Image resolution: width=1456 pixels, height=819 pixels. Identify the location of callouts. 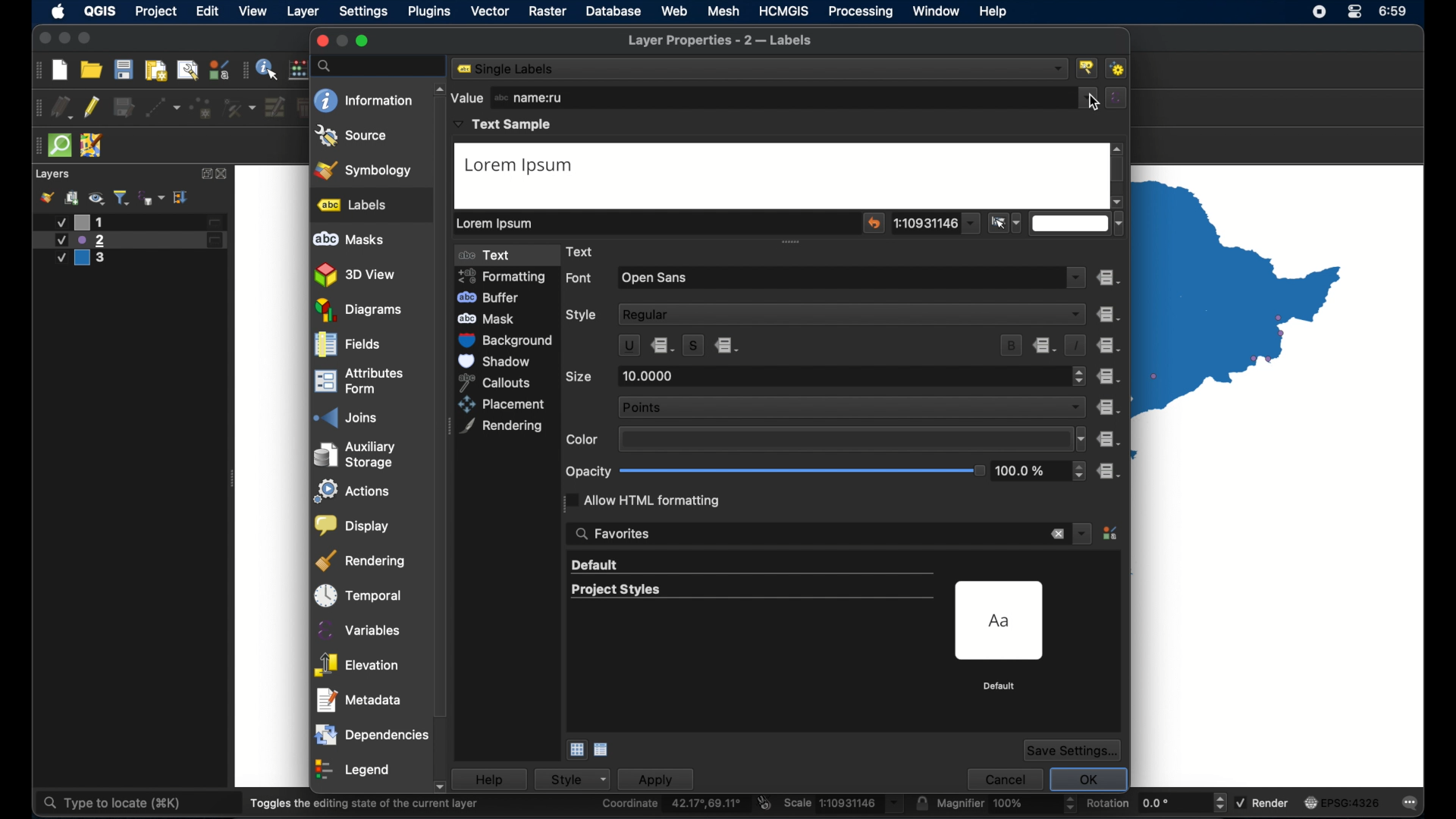
(501, 381).